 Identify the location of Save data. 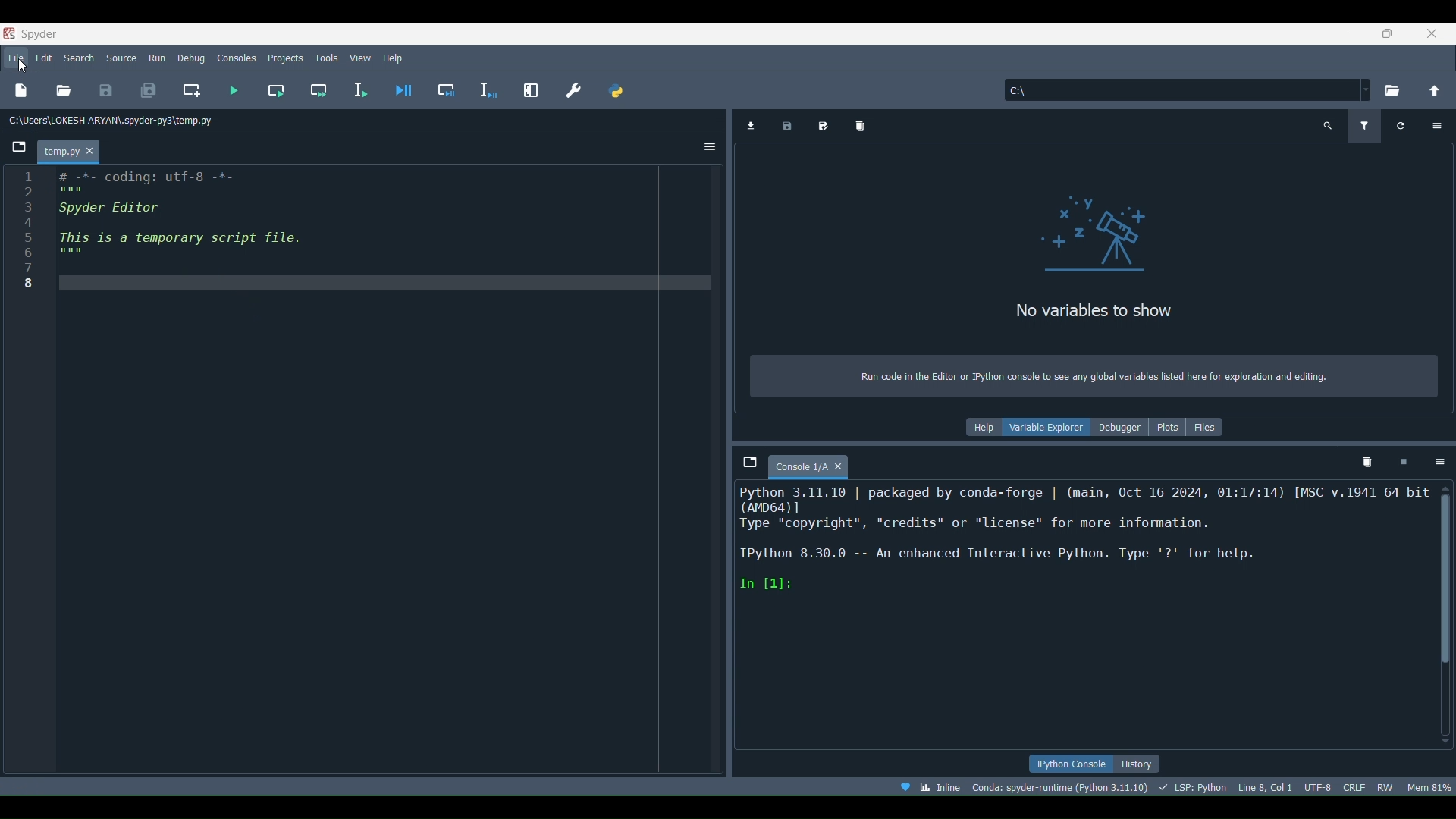
(787, 127).